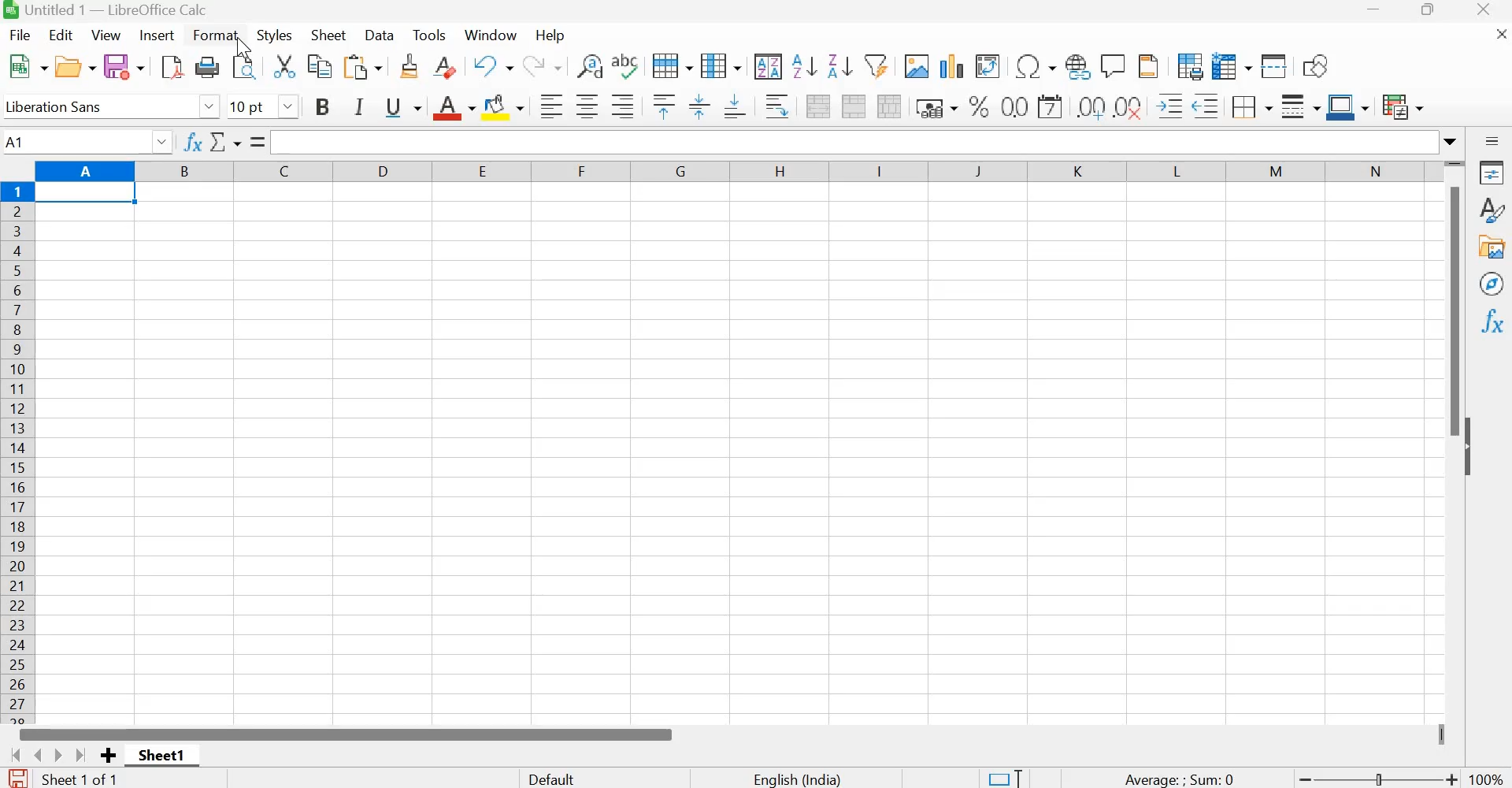 This screenshot has width=1512, height=788. I want to click on Format as Number, so click(1015, 107).